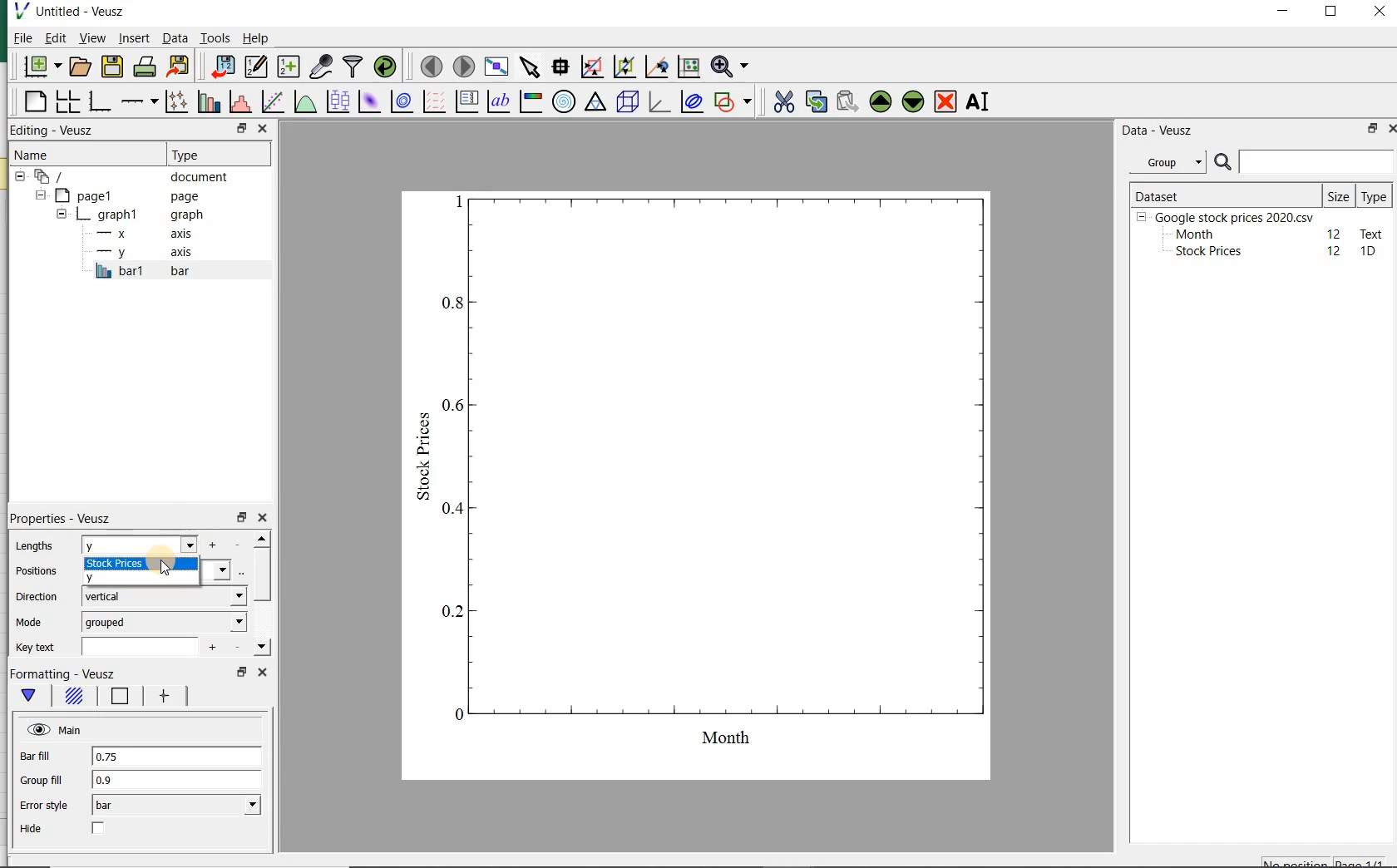  Describe the element at coordinates (847, 102) in the screenshot. I see `paste widget from the clipboard` at that location.